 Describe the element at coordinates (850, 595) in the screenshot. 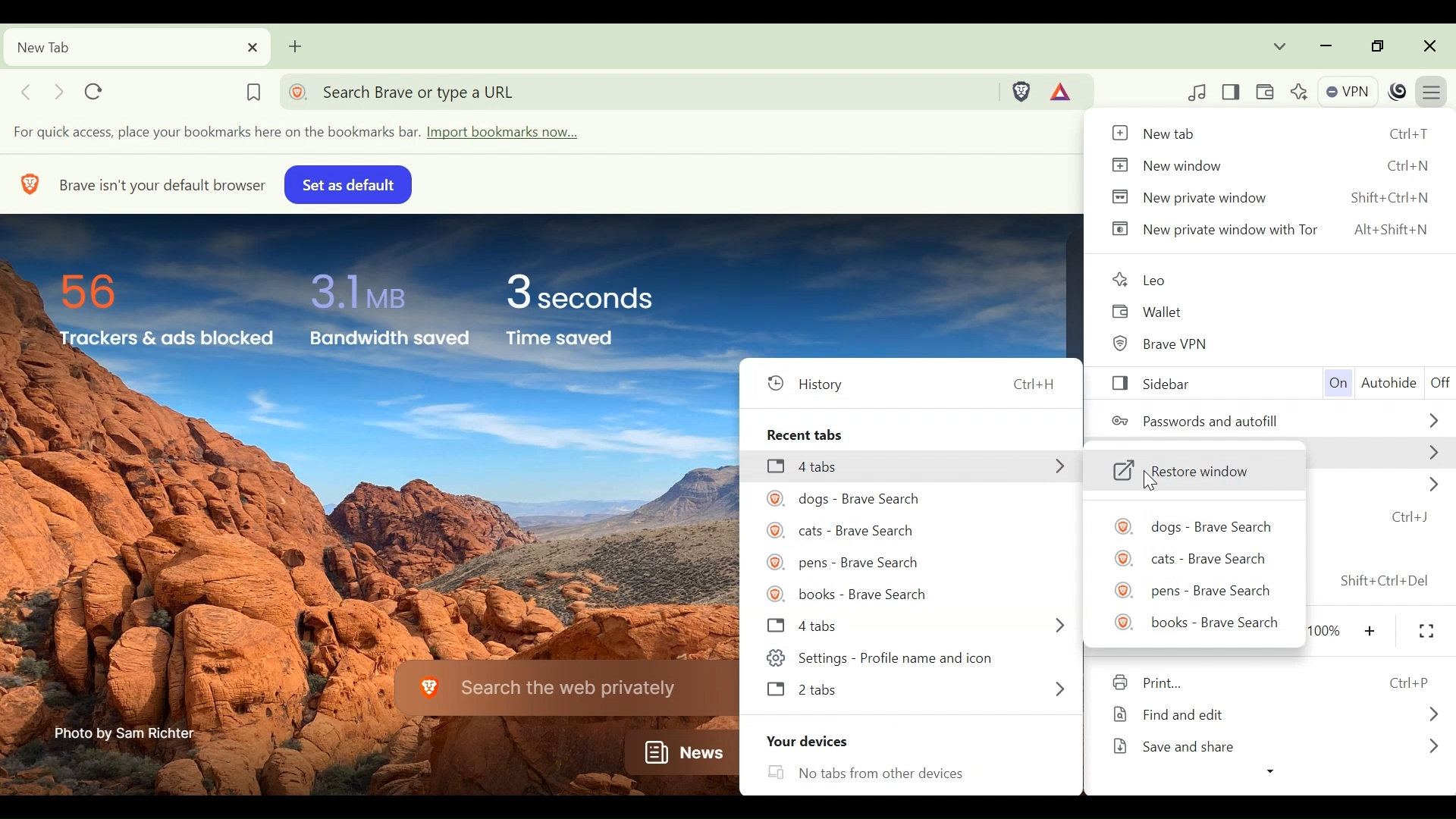

I see `(@ books - Brave Search` at that location.